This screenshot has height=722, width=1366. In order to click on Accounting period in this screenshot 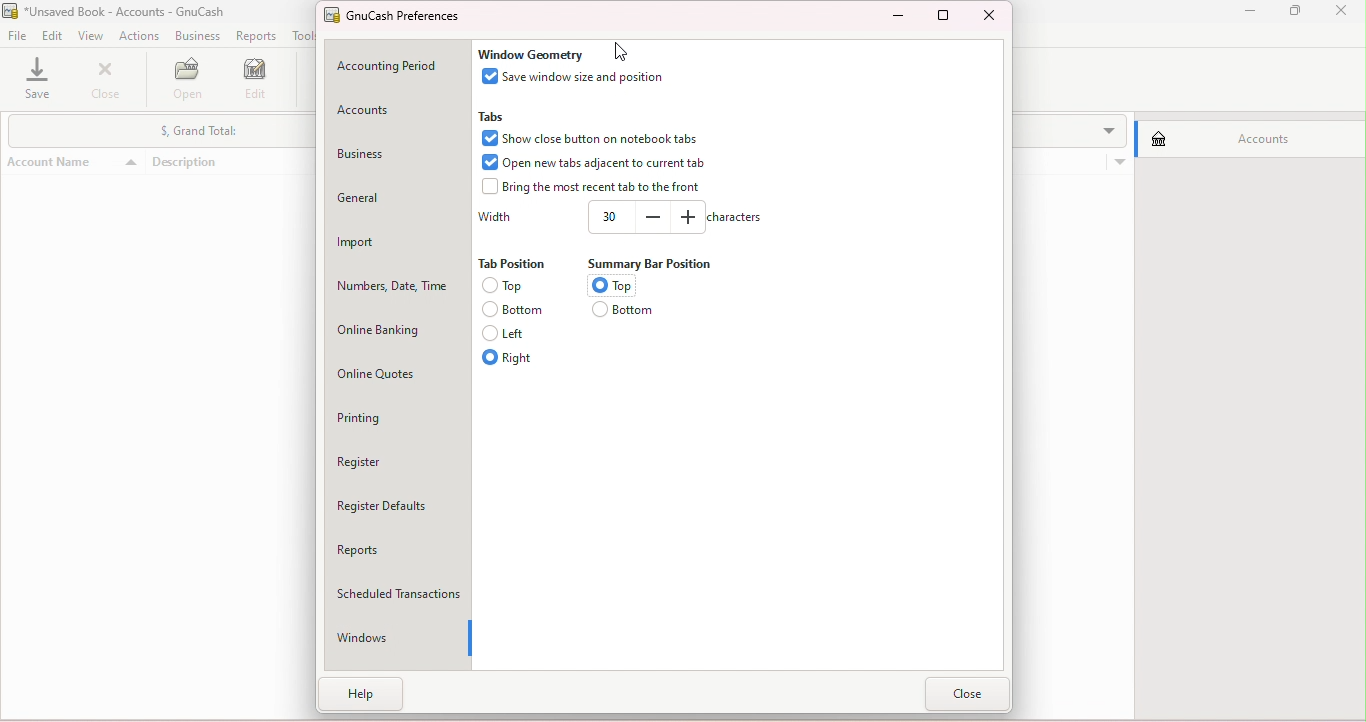, I will do `click(390, 68)`.